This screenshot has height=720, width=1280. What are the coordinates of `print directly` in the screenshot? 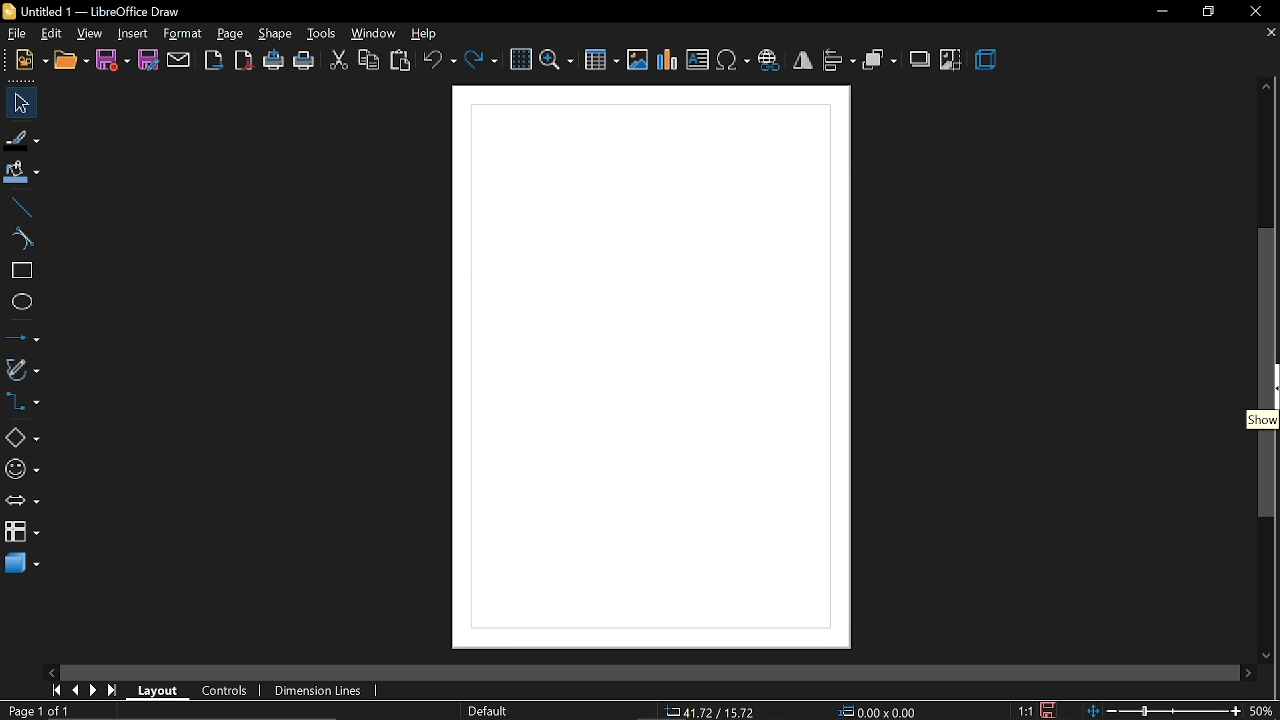 It's located at (271, 61).